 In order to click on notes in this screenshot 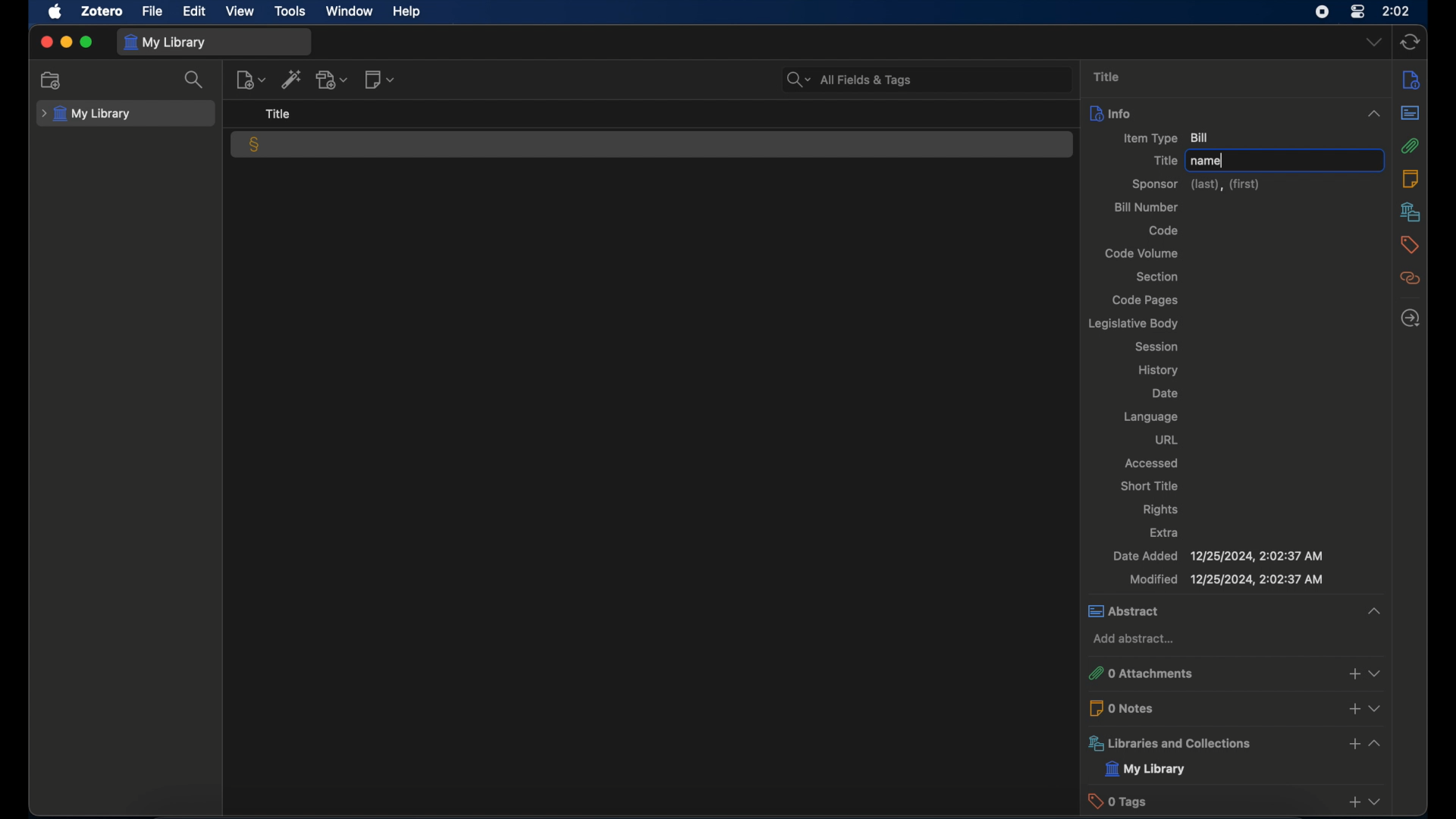, I will do `click(1410, 180)`.